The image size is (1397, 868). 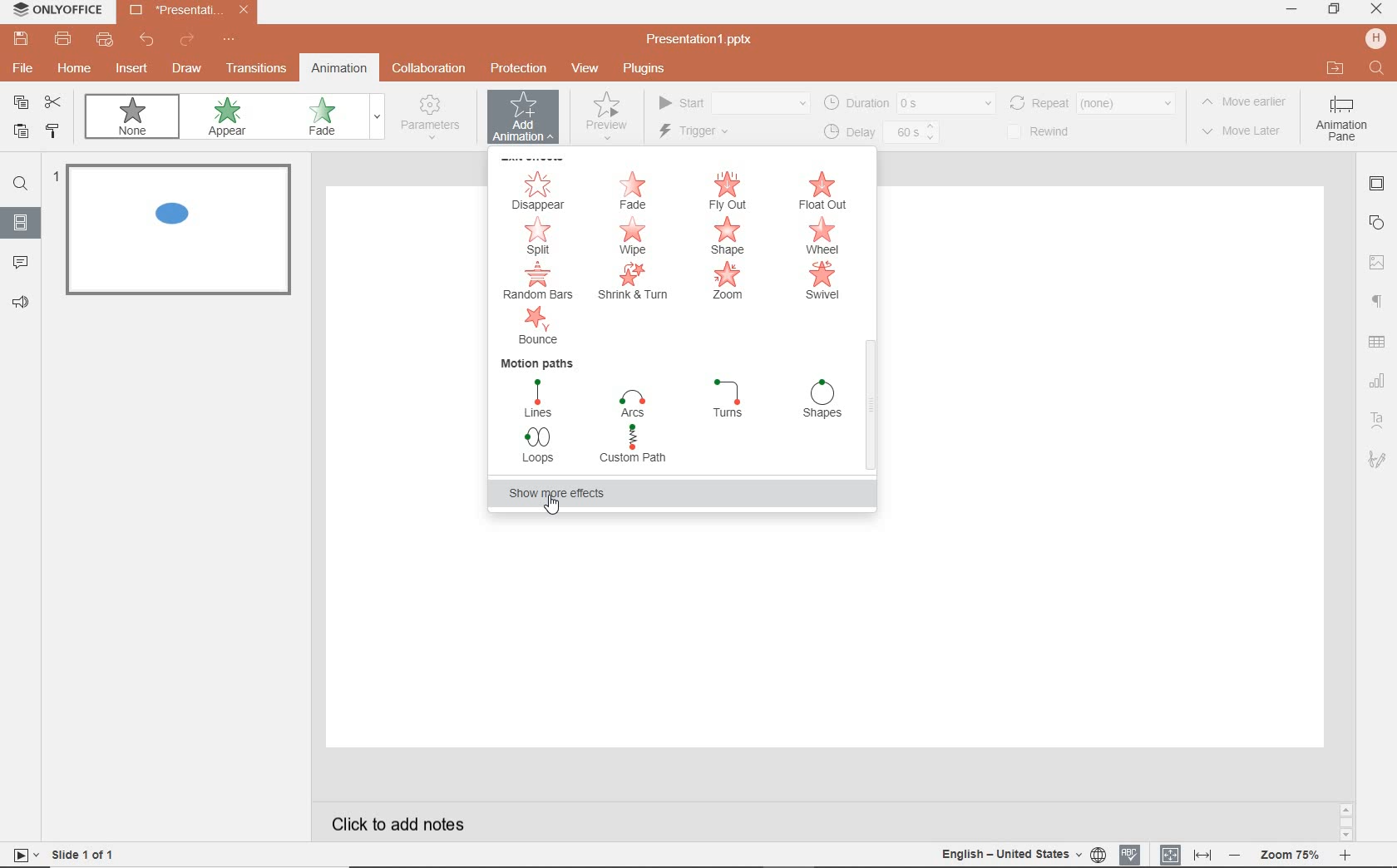 I want to click on feedback & support, so click(x=22, y=303).